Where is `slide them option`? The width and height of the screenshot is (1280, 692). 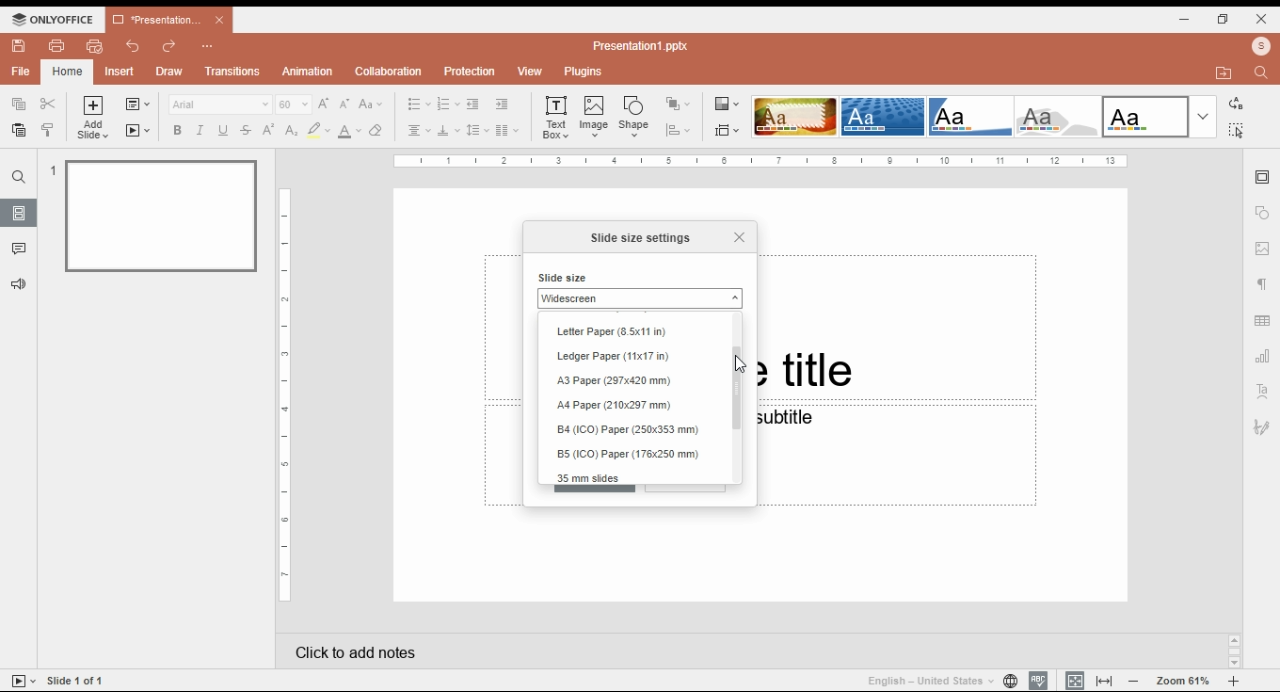 slide them option is located at coordinates (1061, 117).